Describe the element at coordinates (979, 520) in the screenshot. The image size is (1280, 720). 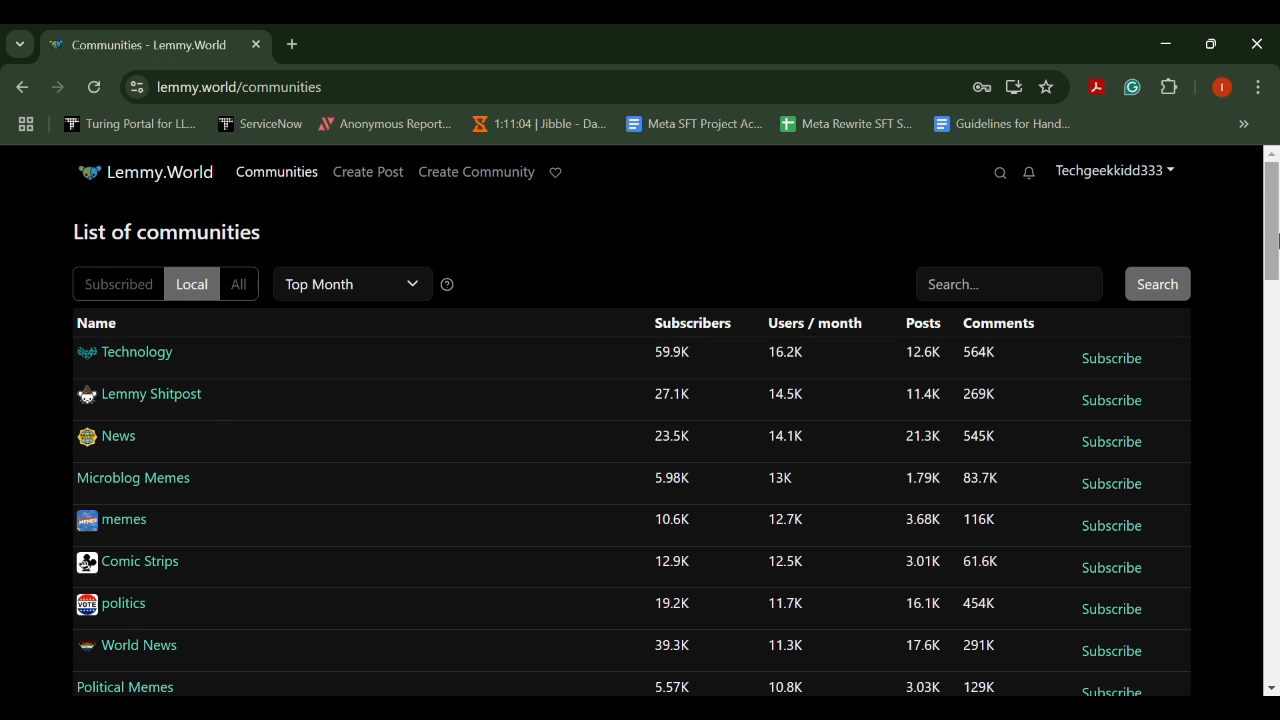
I see `116K` at that location.